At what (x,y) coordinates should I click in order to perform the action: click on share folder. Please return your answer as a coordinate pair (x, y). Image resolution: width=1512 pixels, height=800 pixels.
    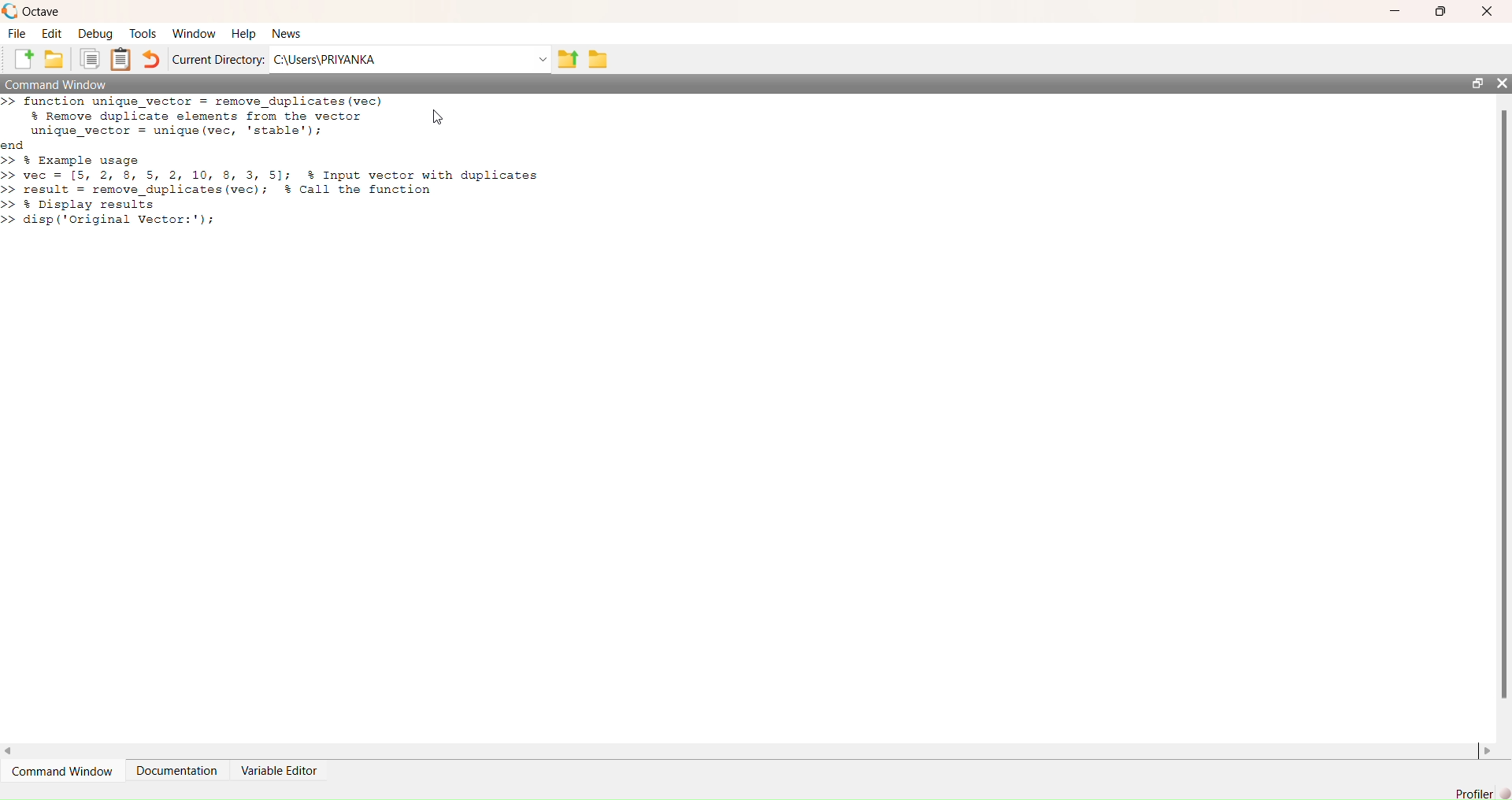
    Looking at the image, I should click on (569, 59).